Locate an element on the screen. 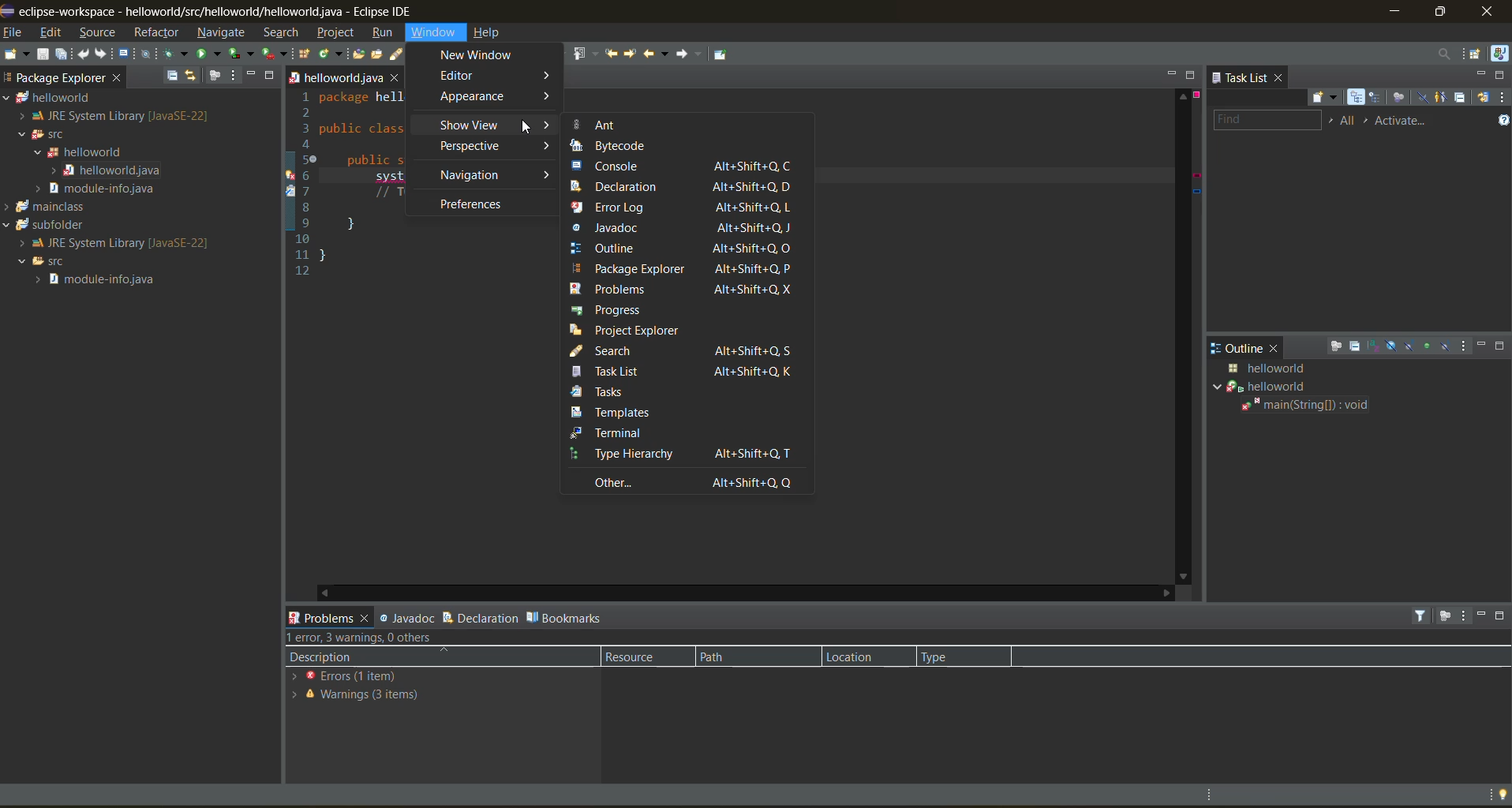 This screenshot has height=808, width=1512. tip of the day is located at coordinates (1501, 795).